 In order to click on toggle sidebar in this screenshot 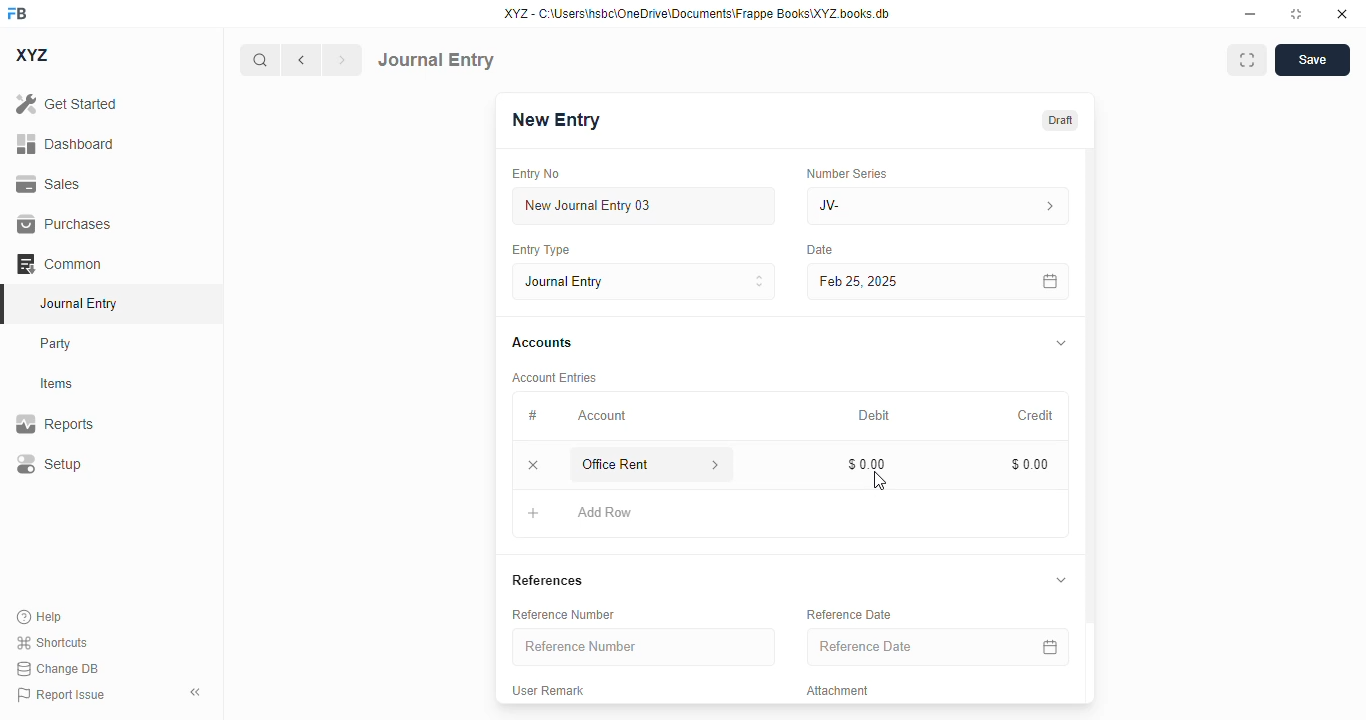, I will do `click(197, 692)`.